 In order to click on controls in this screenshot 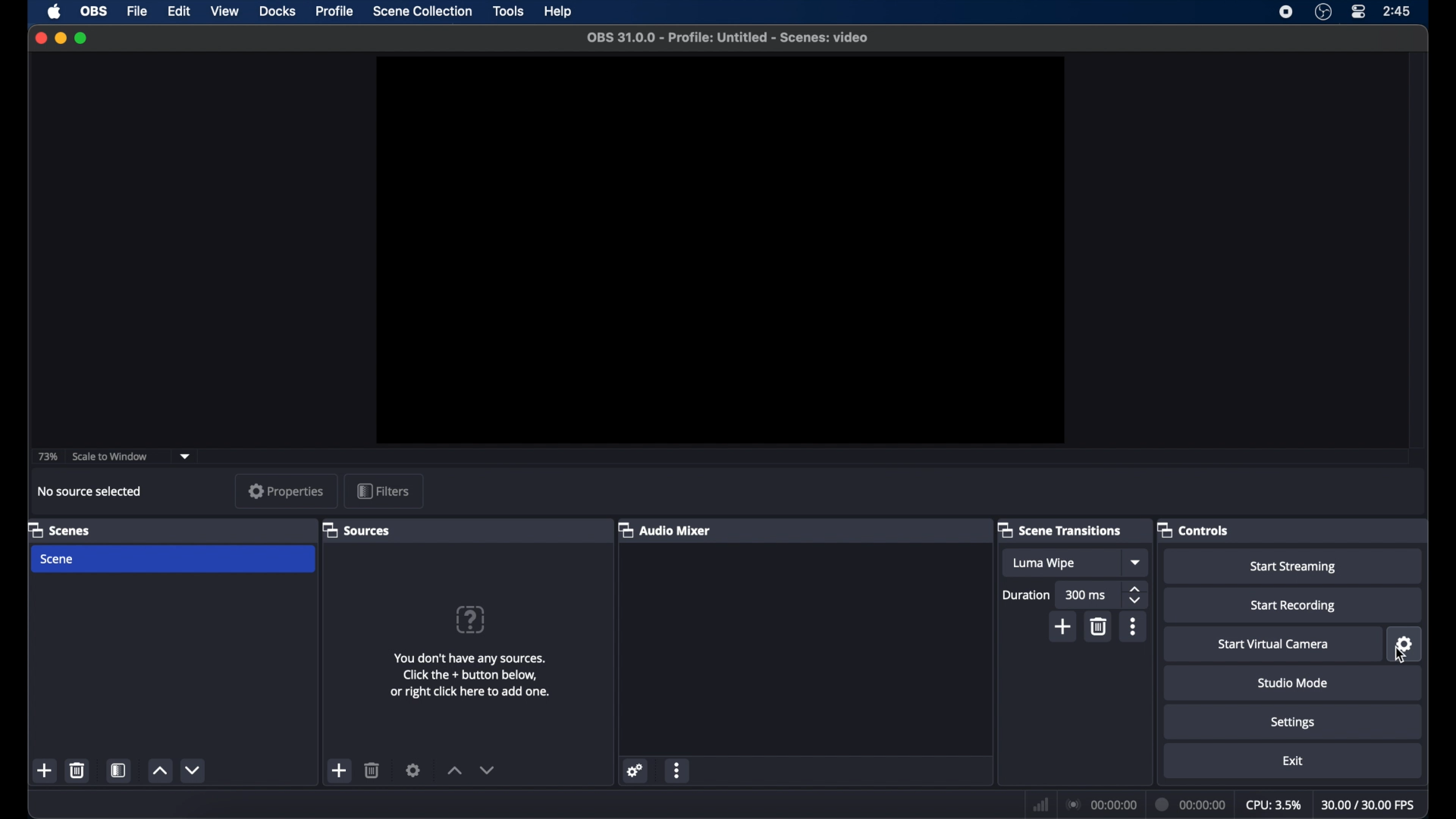, I will do `click(1192, 529)`.